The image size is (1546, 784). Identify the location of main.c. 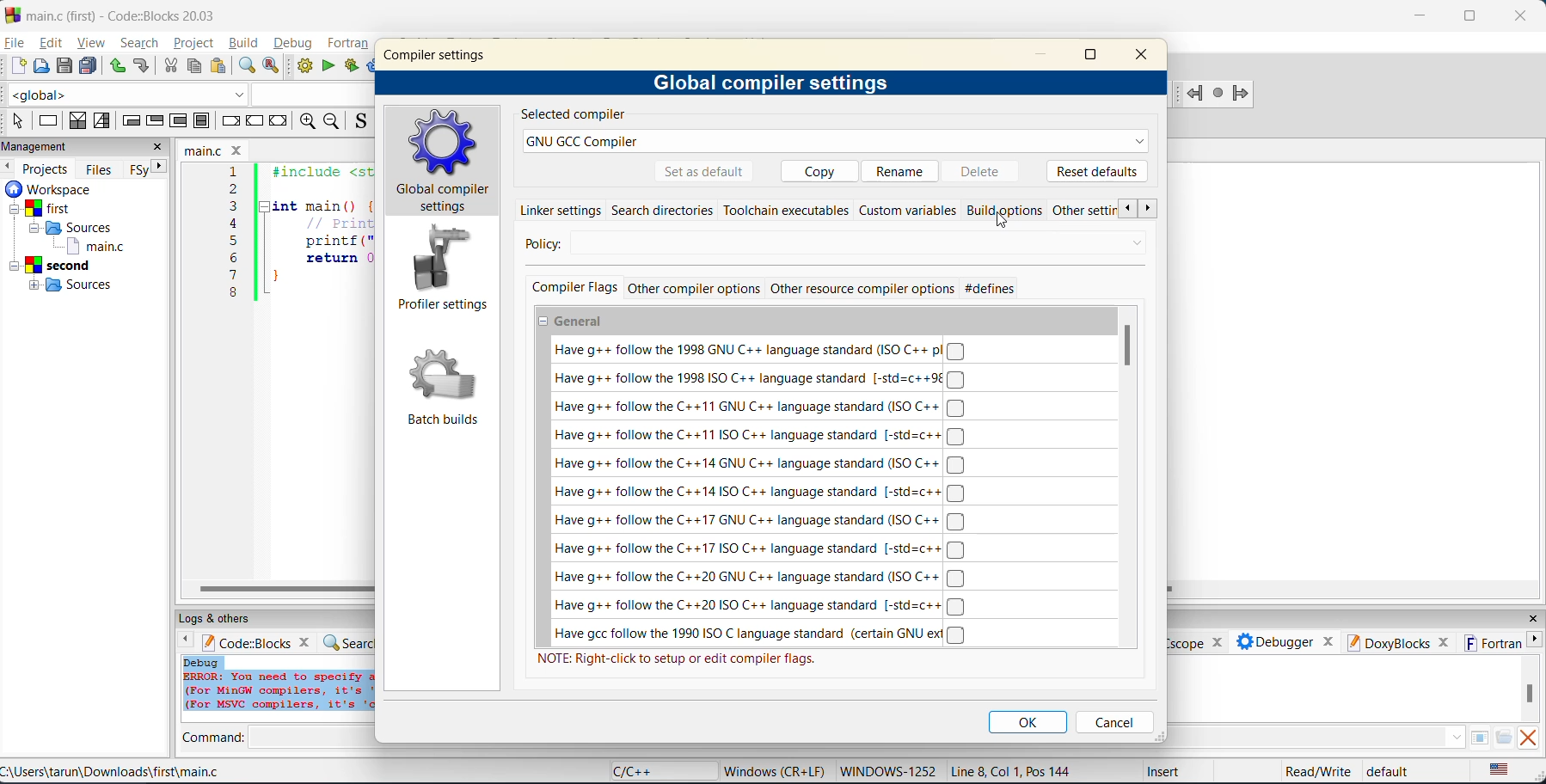
(216, 149).